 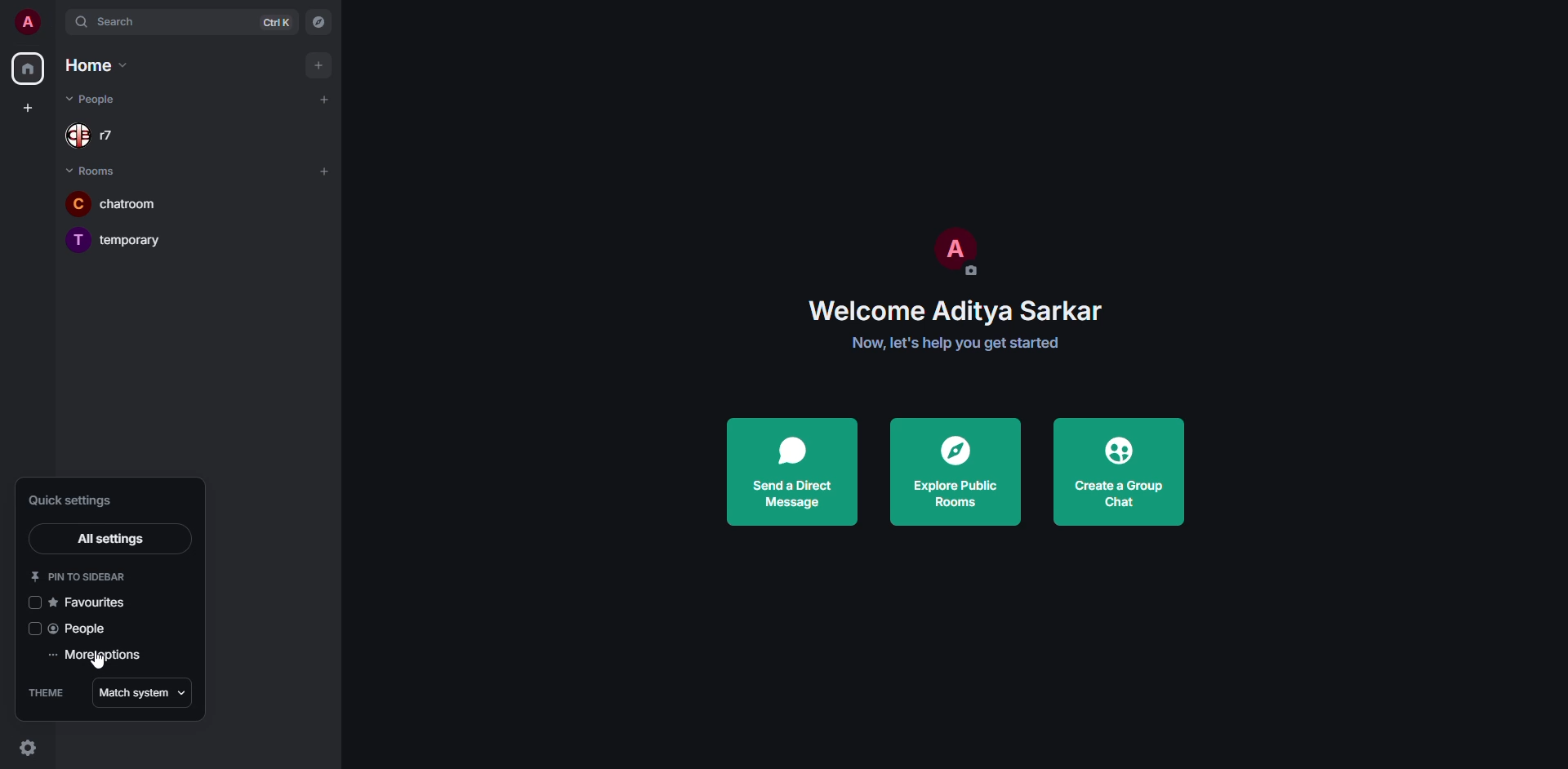 I want to click on Welcome Aditya Sarkar, so click(x=955, y=312).